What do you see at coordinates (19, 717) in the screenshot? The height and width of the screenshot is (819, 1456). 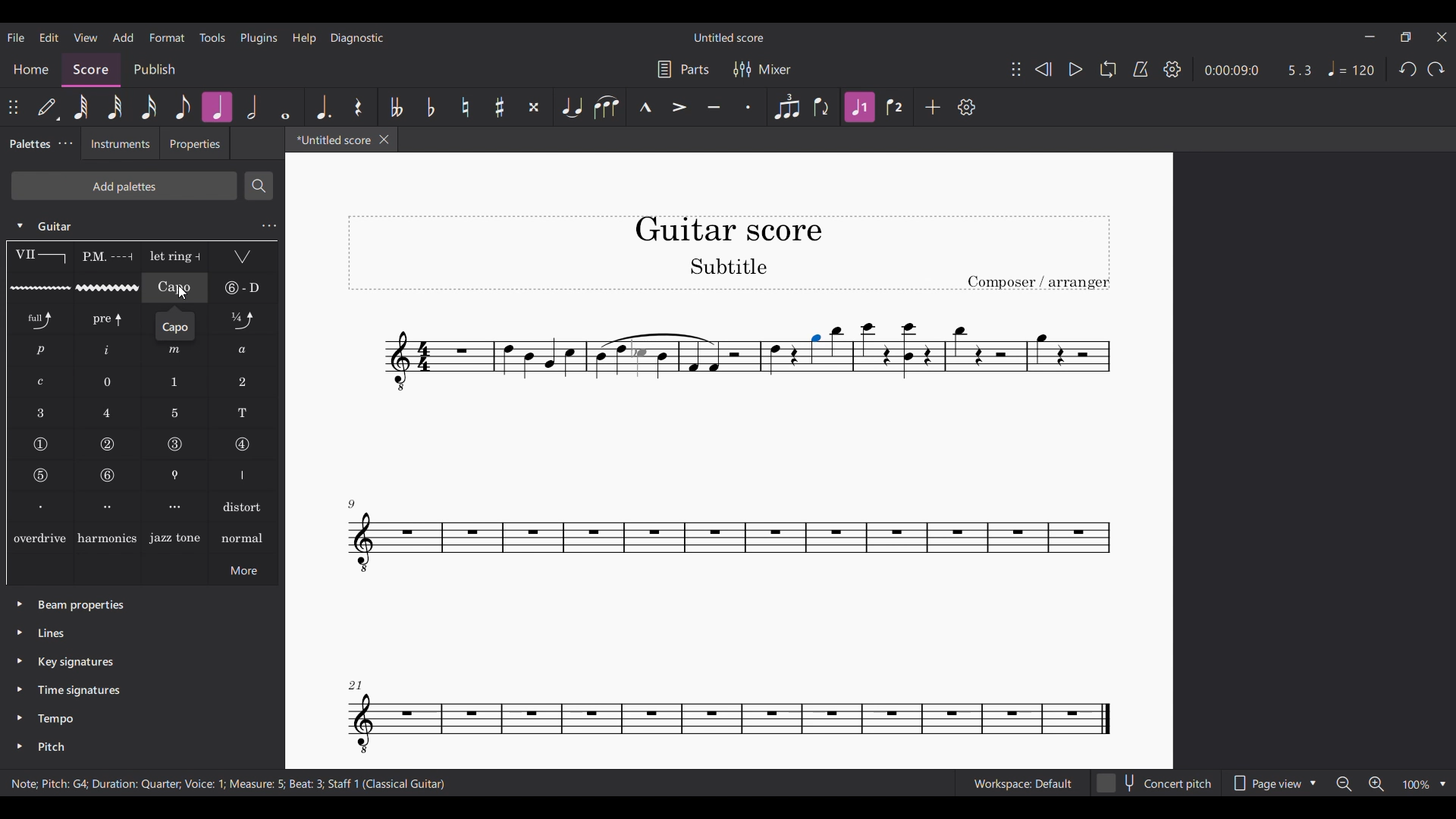 I see `Click to expand tempo palette` at bounding box center [19, 717].